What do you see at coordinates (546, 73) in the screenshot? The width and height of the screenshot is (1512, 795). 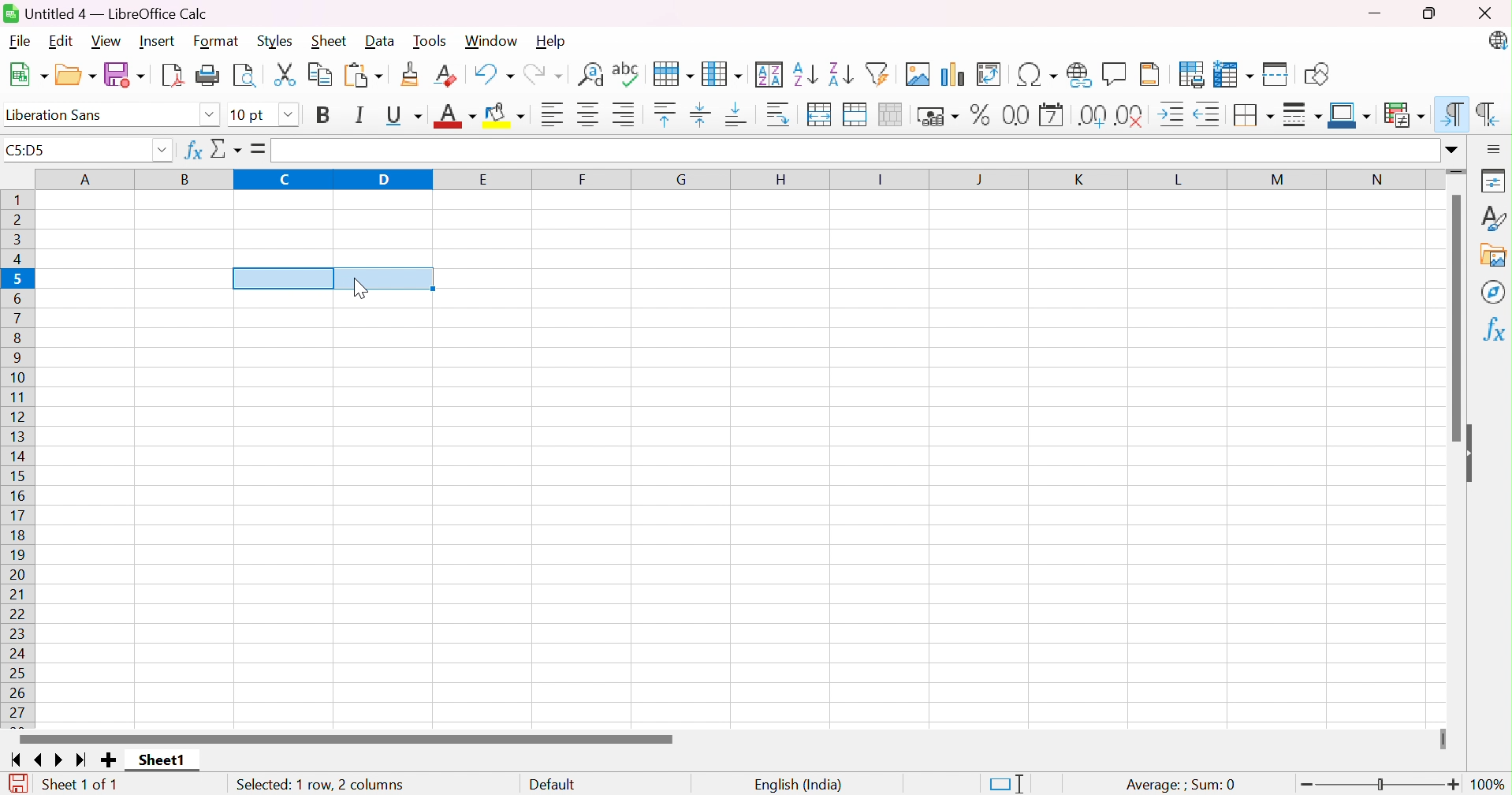 I see `Redo` at bounding box center [546, 73].